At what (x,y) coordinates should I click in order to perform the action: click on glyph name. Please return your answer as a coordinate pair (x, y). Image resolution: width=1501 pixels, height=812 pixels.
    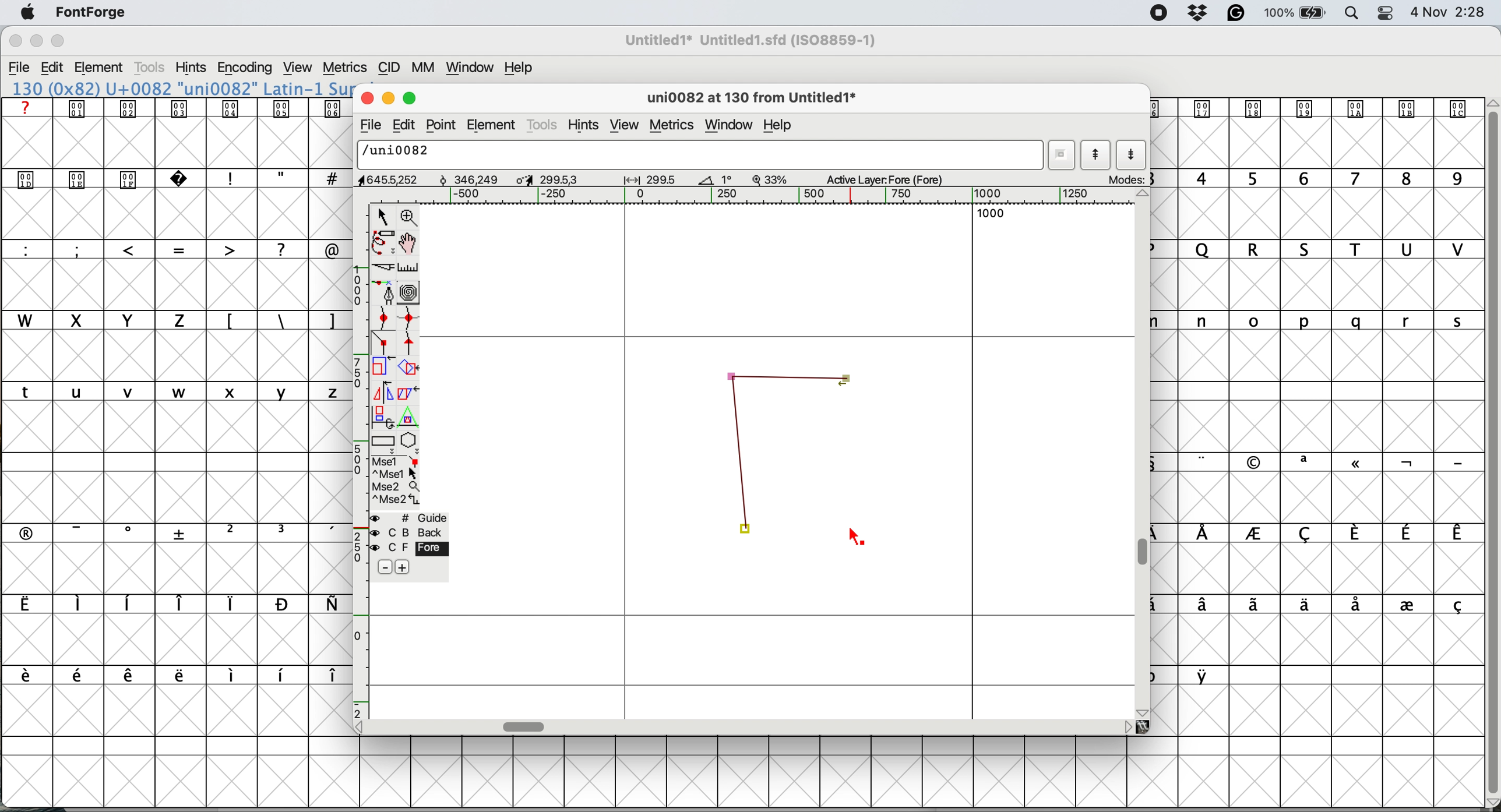
    Looking at the image, I should click on (749, 99).